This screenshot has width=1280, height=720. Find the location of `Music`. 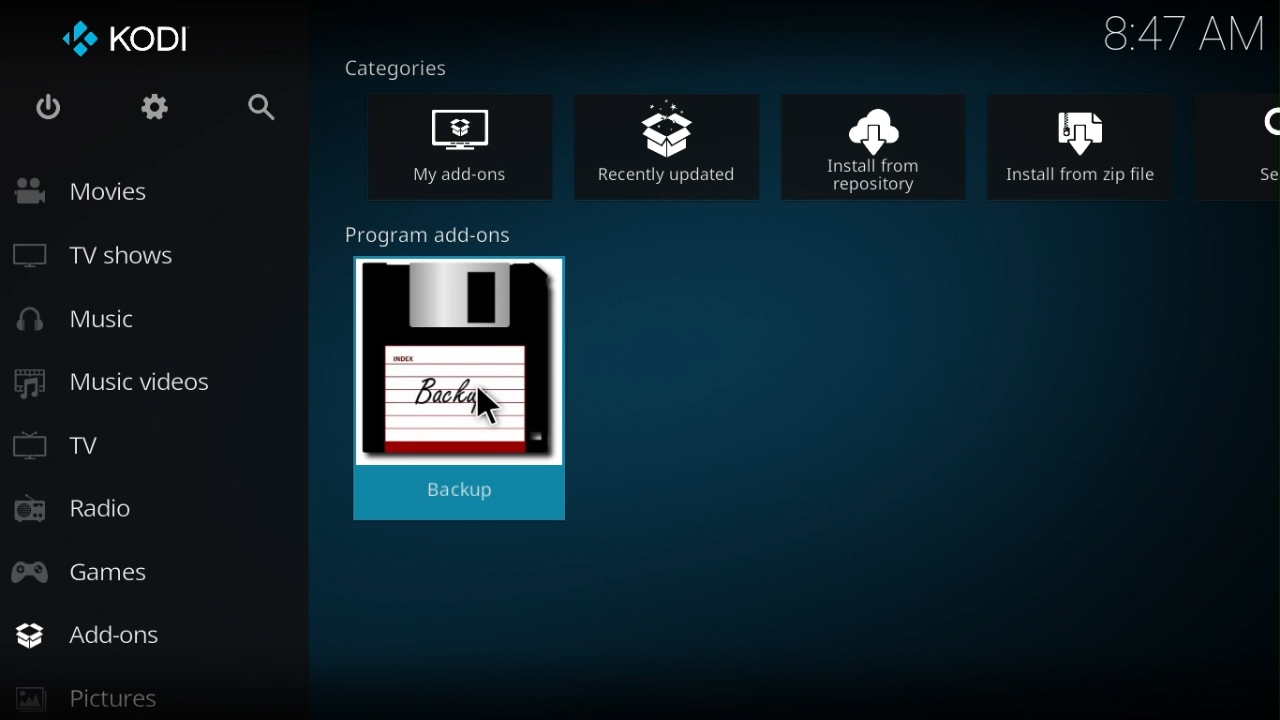

Music is located at coordinates (92, 323).